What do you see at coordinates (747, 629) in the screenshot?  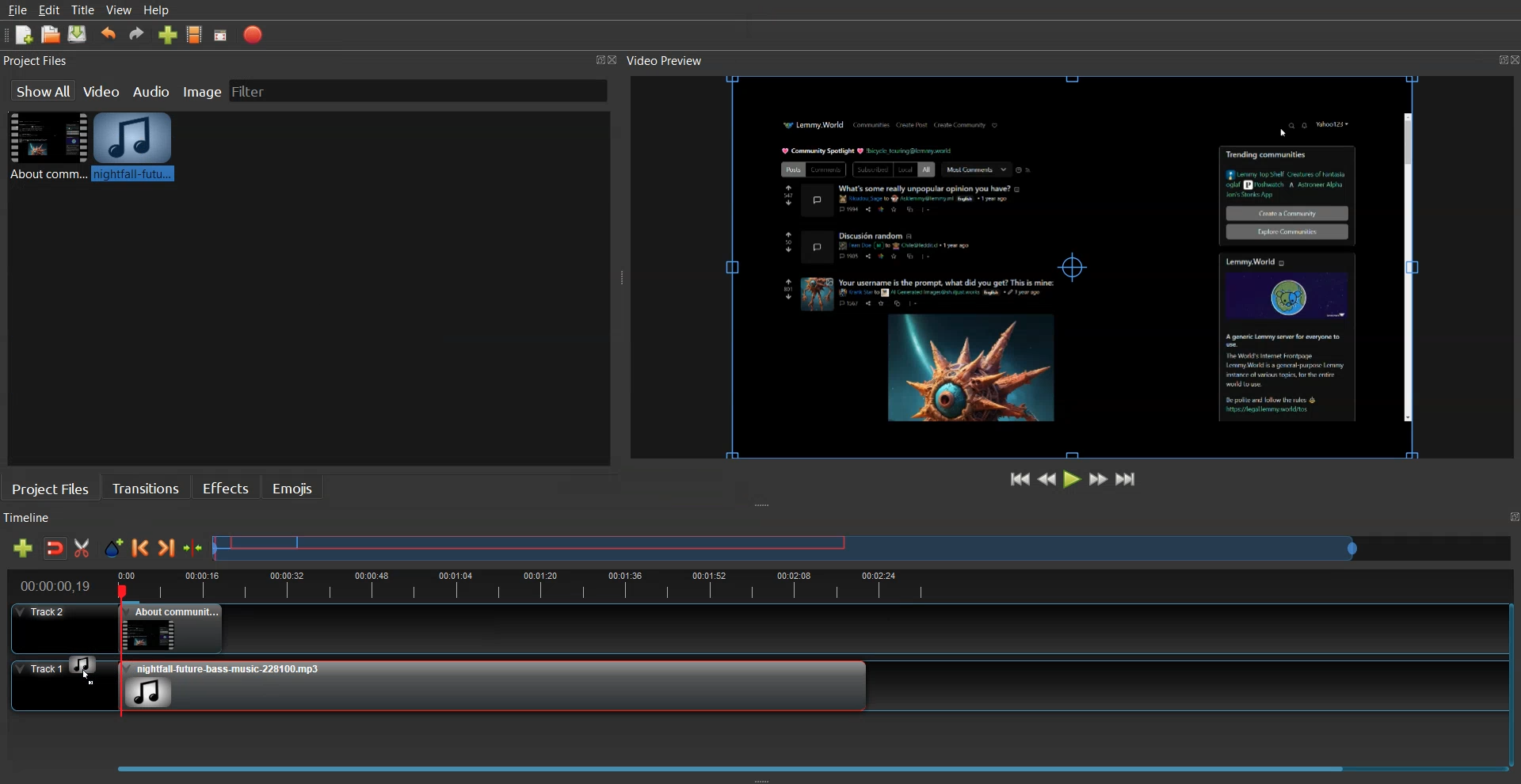 I see `Track 2` at bounding box center [747, 629].